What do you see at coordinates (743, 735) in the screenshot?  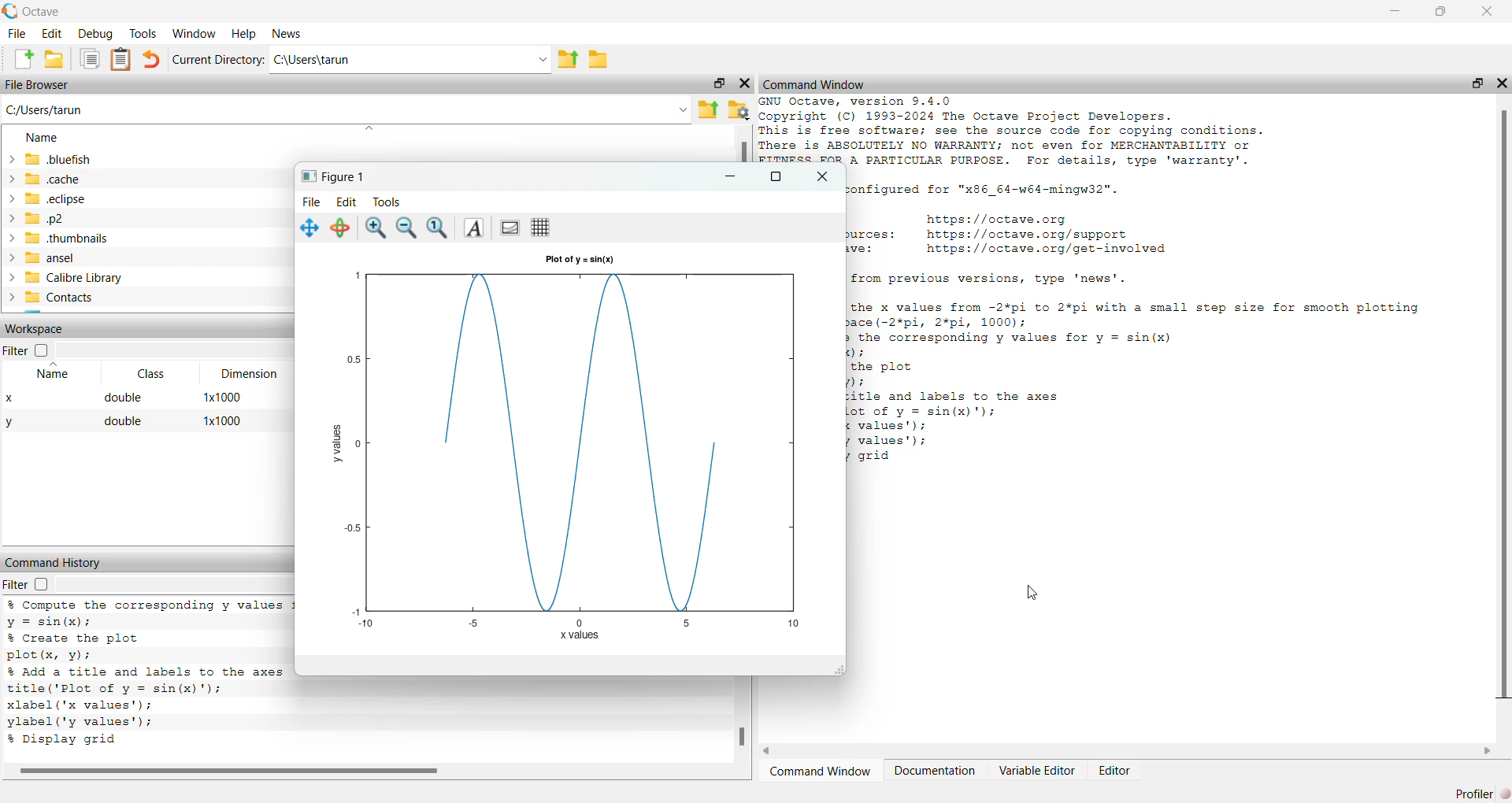 I see `scroll bar` at bounding box center [743, 735].